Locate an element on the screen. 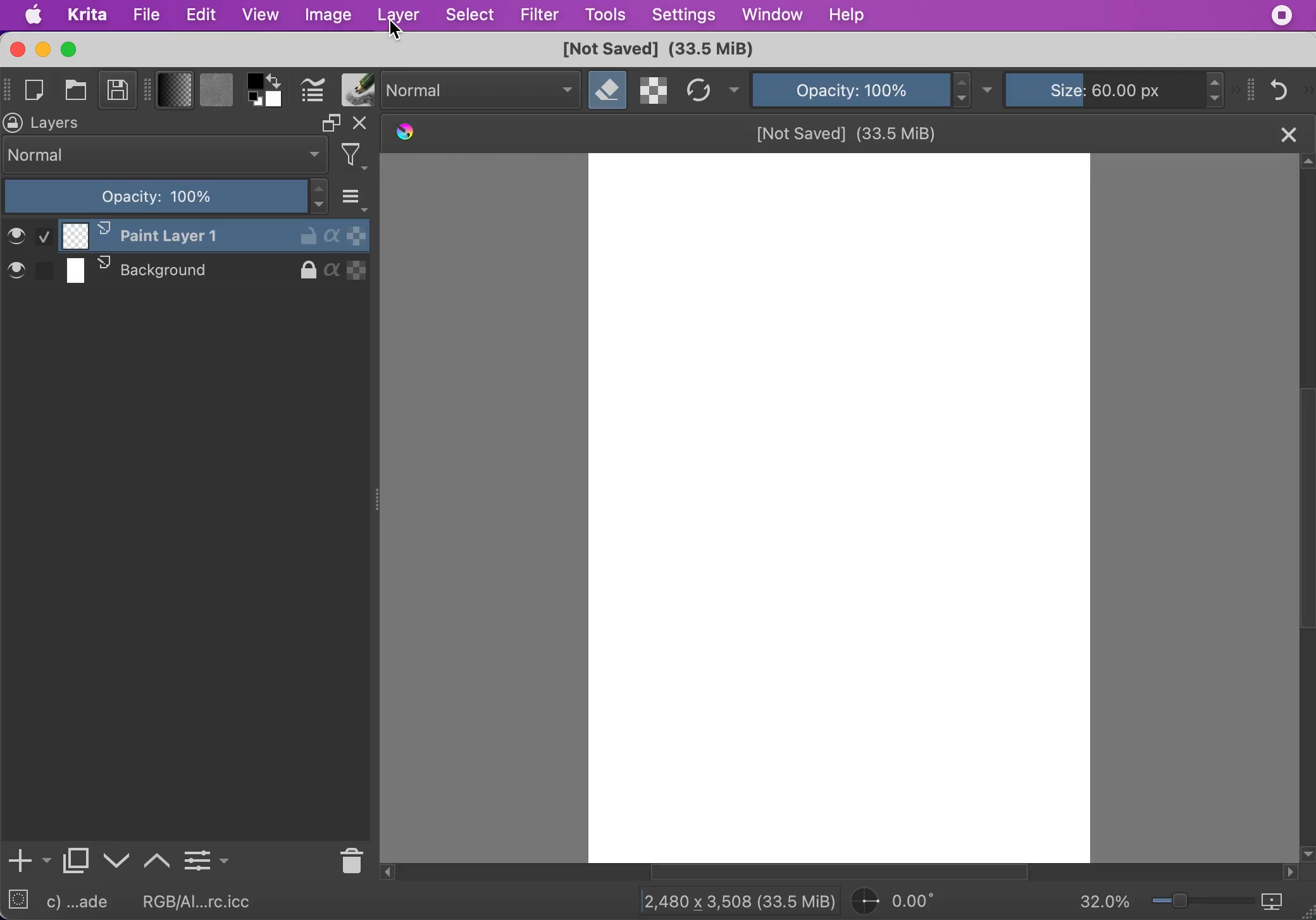  edit brush settings is located at coordinates (313, 91).